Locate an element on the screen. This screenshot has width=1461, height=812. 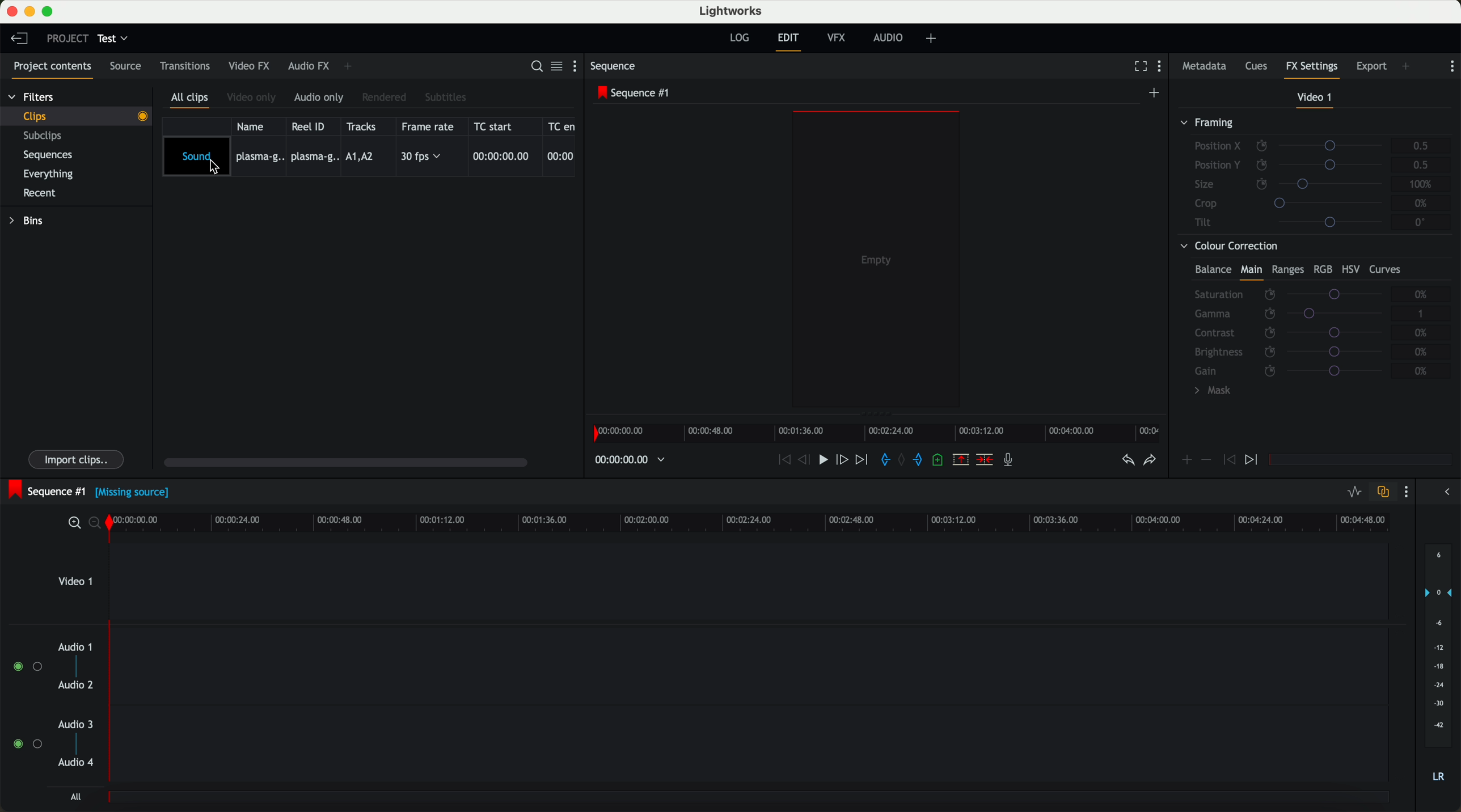
sequence is located at coordinates (617, 67).